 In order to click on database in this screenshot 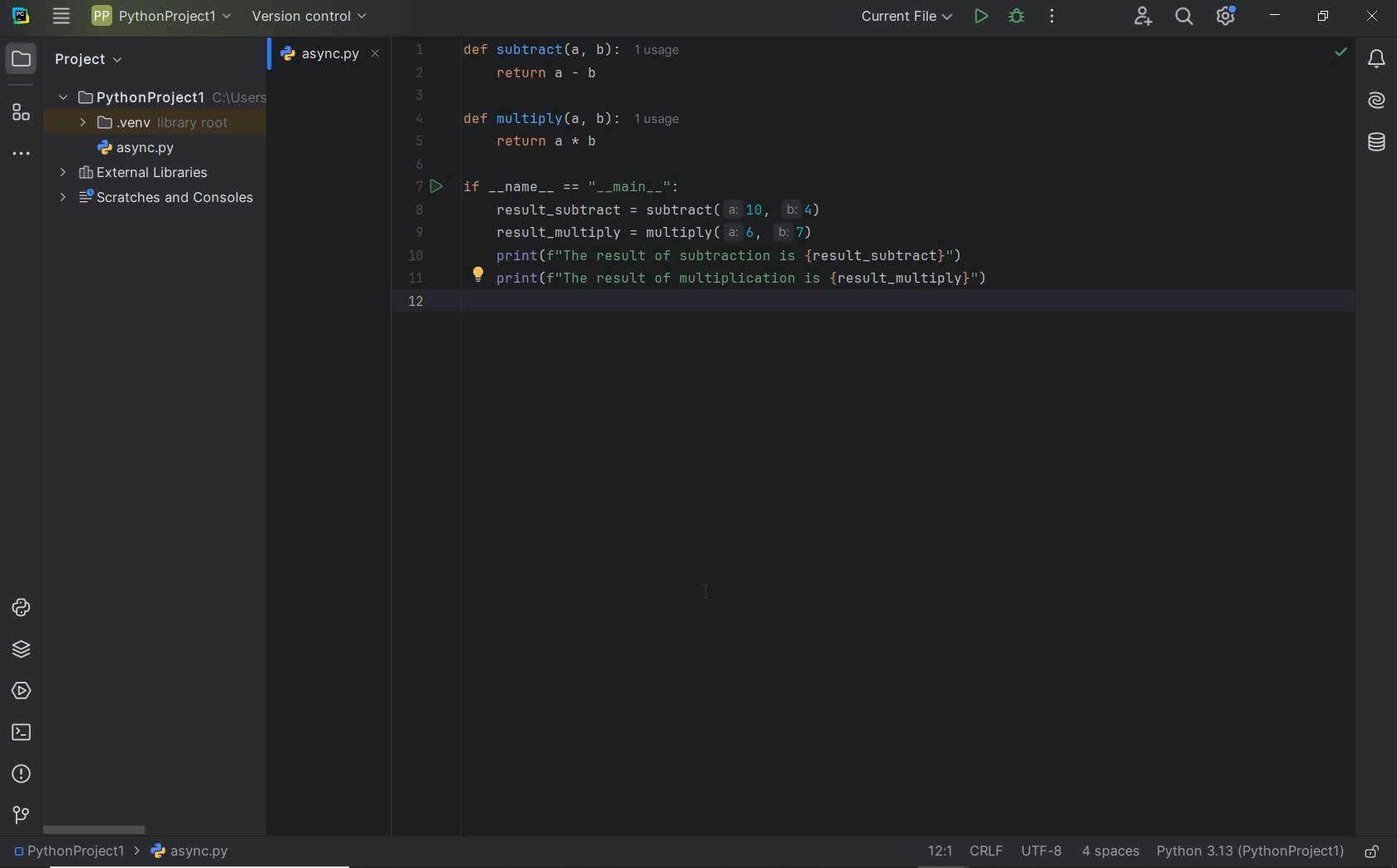, I will do `click(1375, 142)`.